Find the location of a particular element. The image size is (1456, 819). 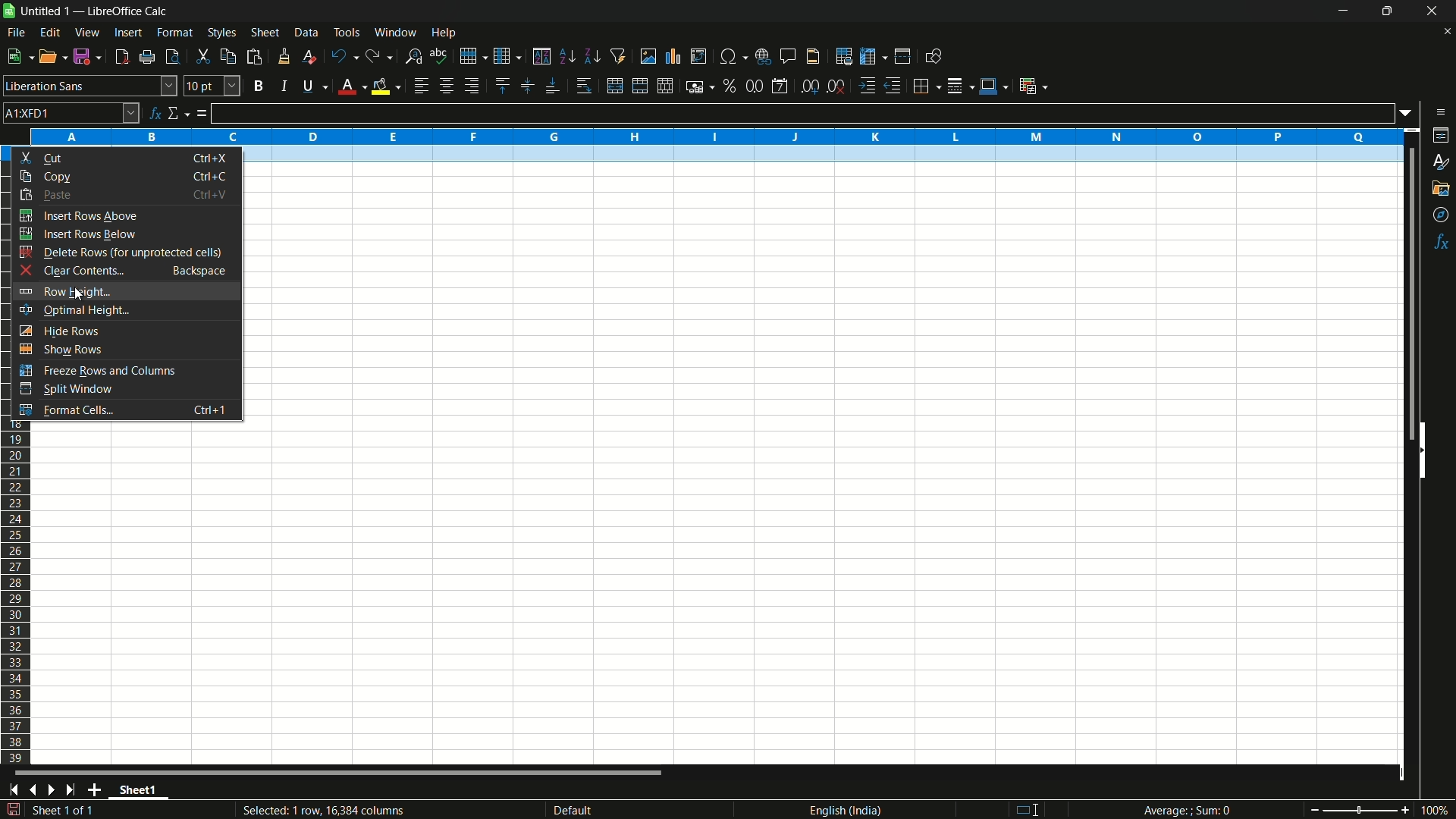

print is located at coordinates (147, 58).